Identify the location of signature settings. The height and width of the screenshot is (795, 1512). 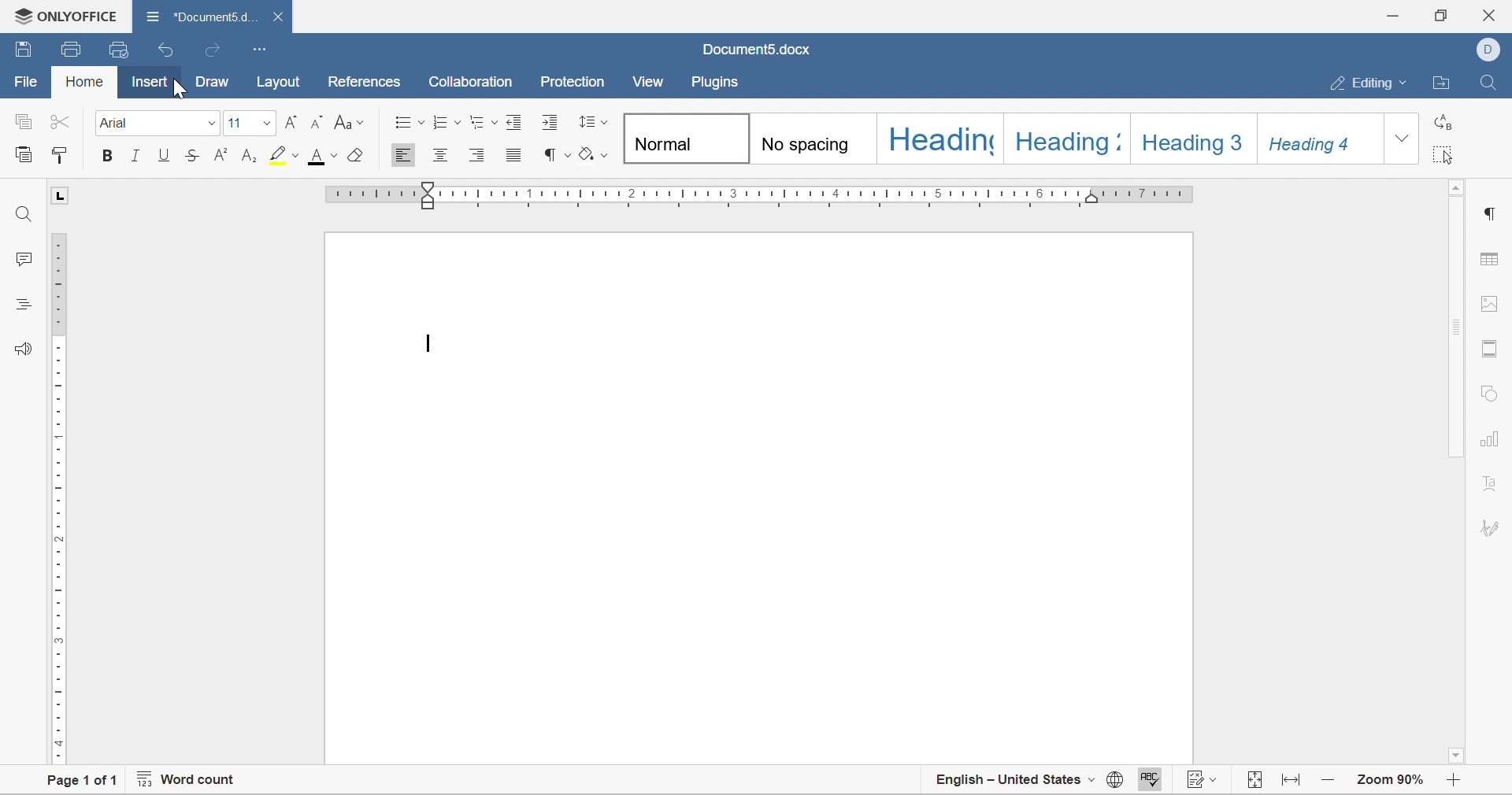
(1492, 527).